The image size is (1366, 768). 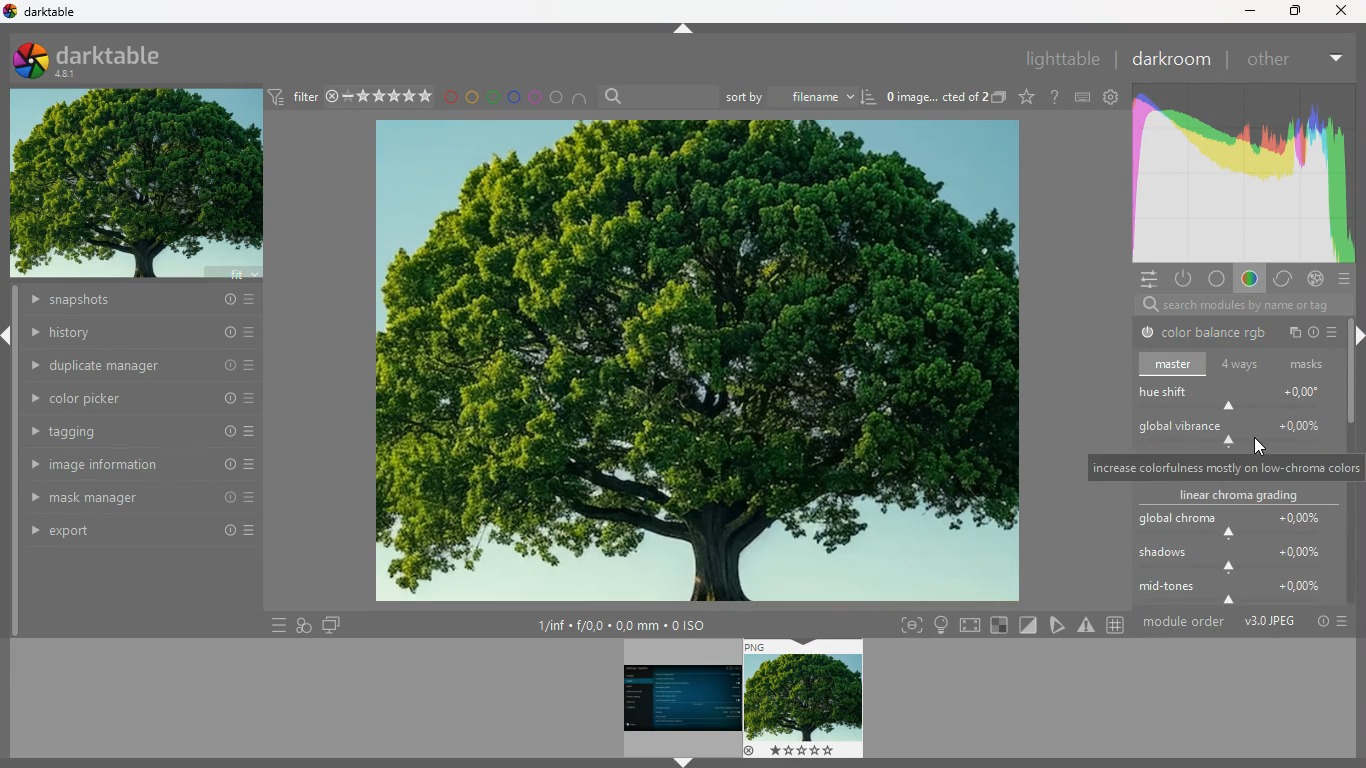 What do you see at coordinates (1182, 278) in the screenshot?
I see `power` at bounding box center [1182, 278].